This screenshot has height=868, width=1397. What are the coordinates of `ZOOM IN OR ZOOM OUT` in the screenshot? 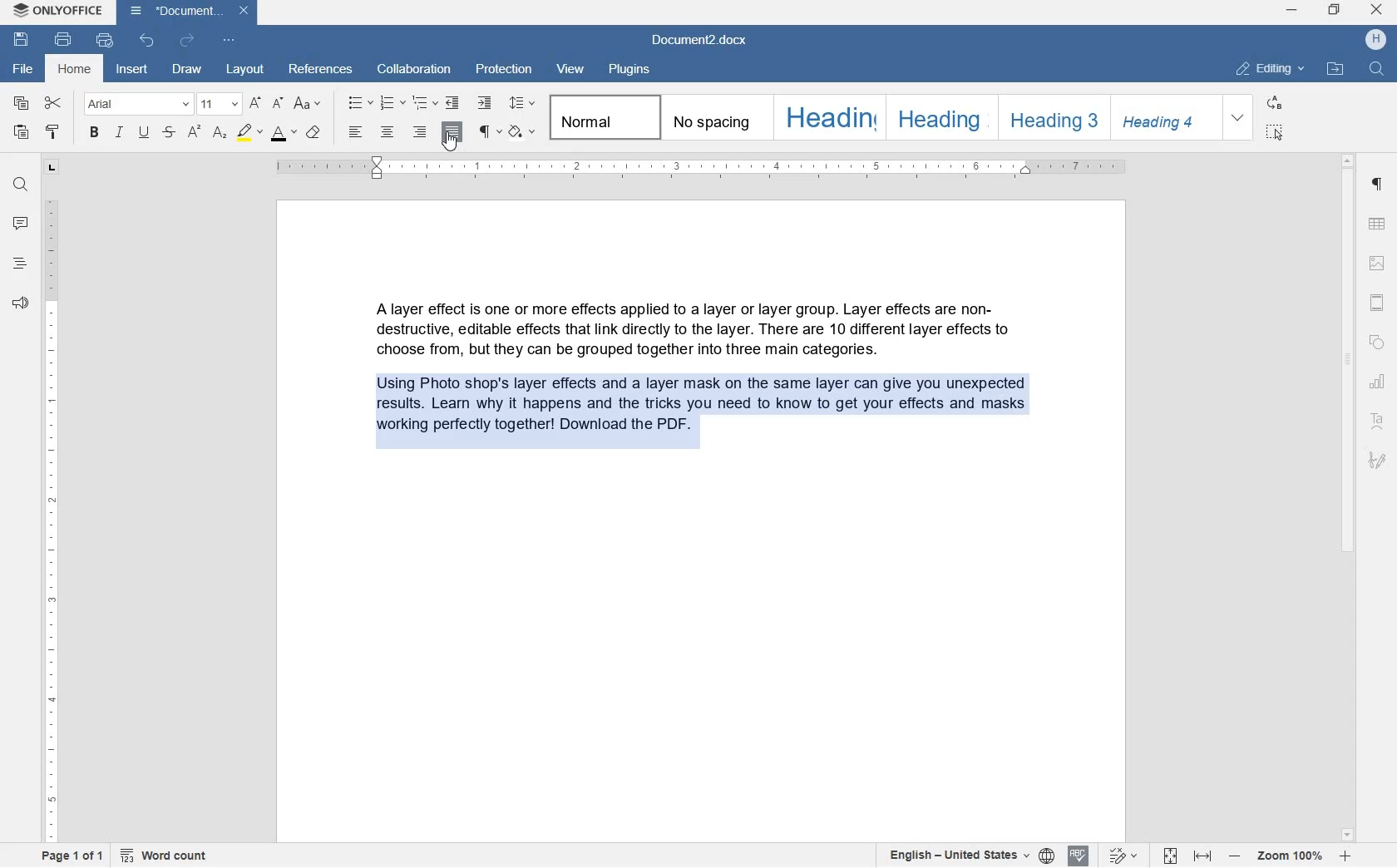 It's located at (1290, 856).